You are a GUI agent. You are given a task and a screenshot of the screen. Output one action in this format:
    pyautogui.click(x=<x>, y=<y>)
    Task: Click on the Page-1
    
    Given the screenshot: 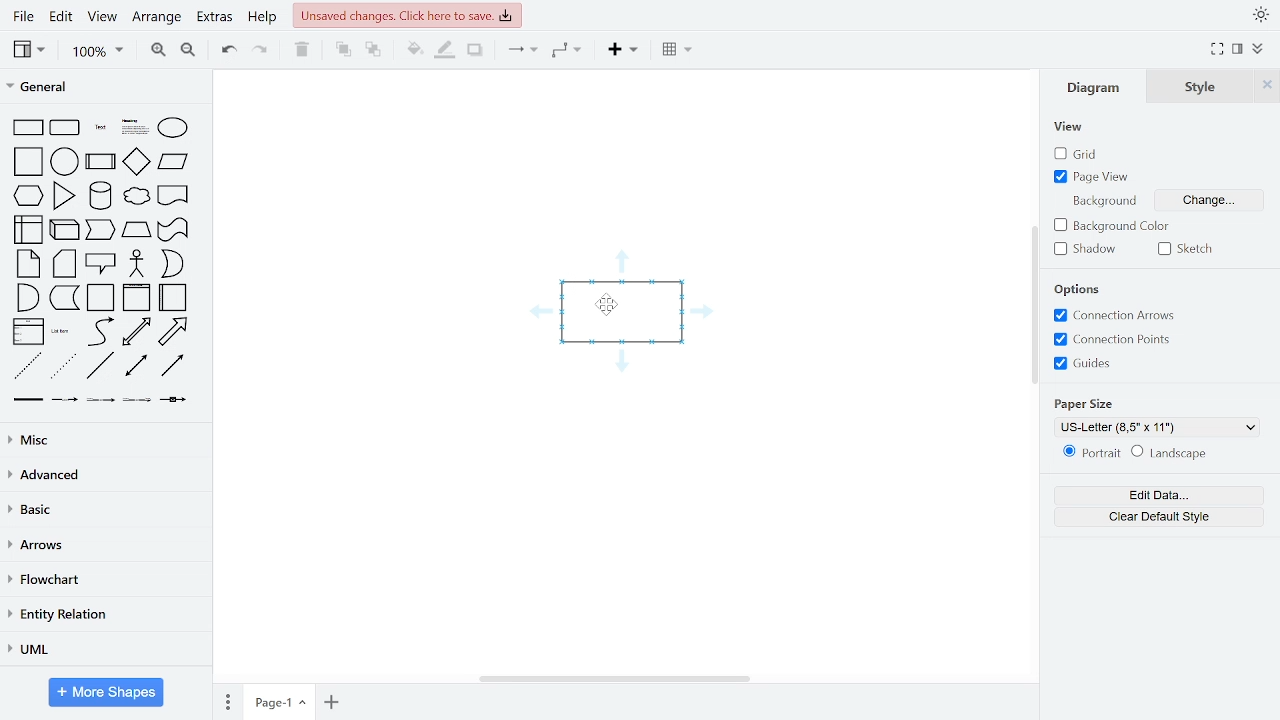 What is the action you would take?
    pyautogui.click(x=280, y=703)
    